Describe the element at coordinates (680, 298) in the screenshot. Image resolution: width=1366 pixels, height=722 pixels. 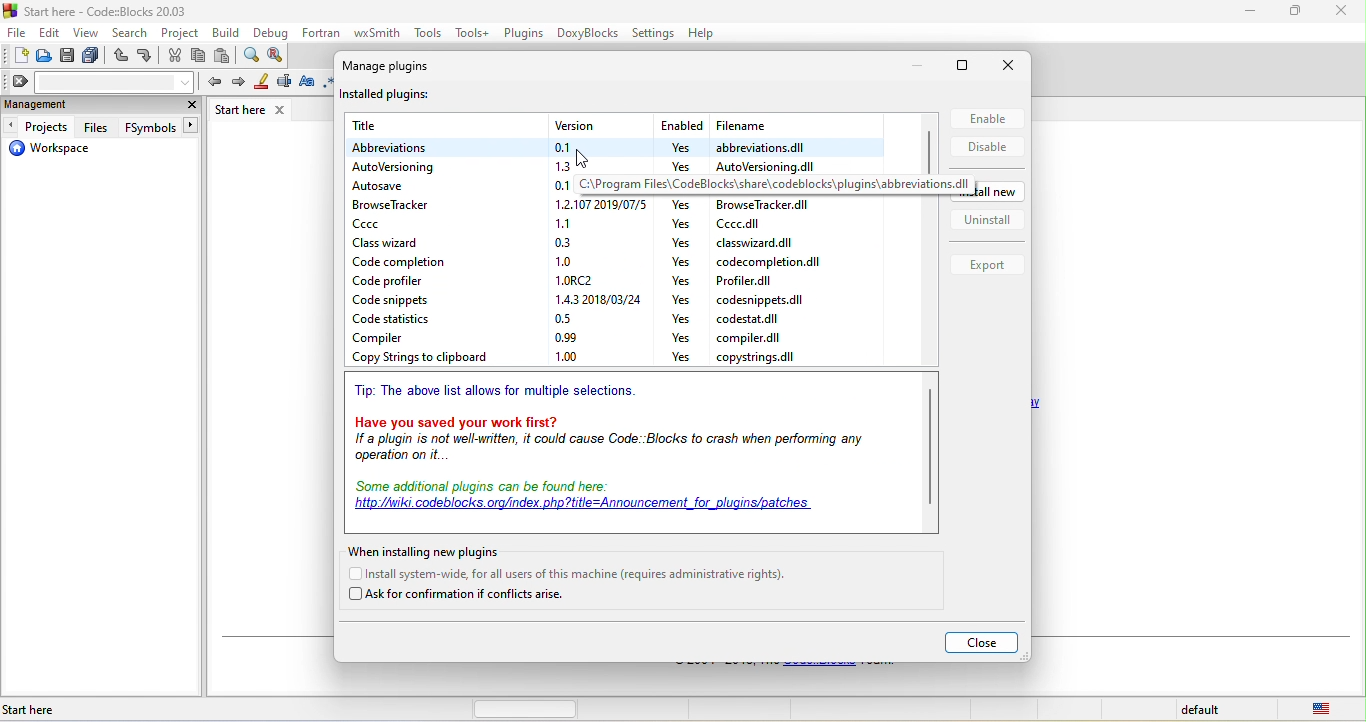
I see `yes` at that location.